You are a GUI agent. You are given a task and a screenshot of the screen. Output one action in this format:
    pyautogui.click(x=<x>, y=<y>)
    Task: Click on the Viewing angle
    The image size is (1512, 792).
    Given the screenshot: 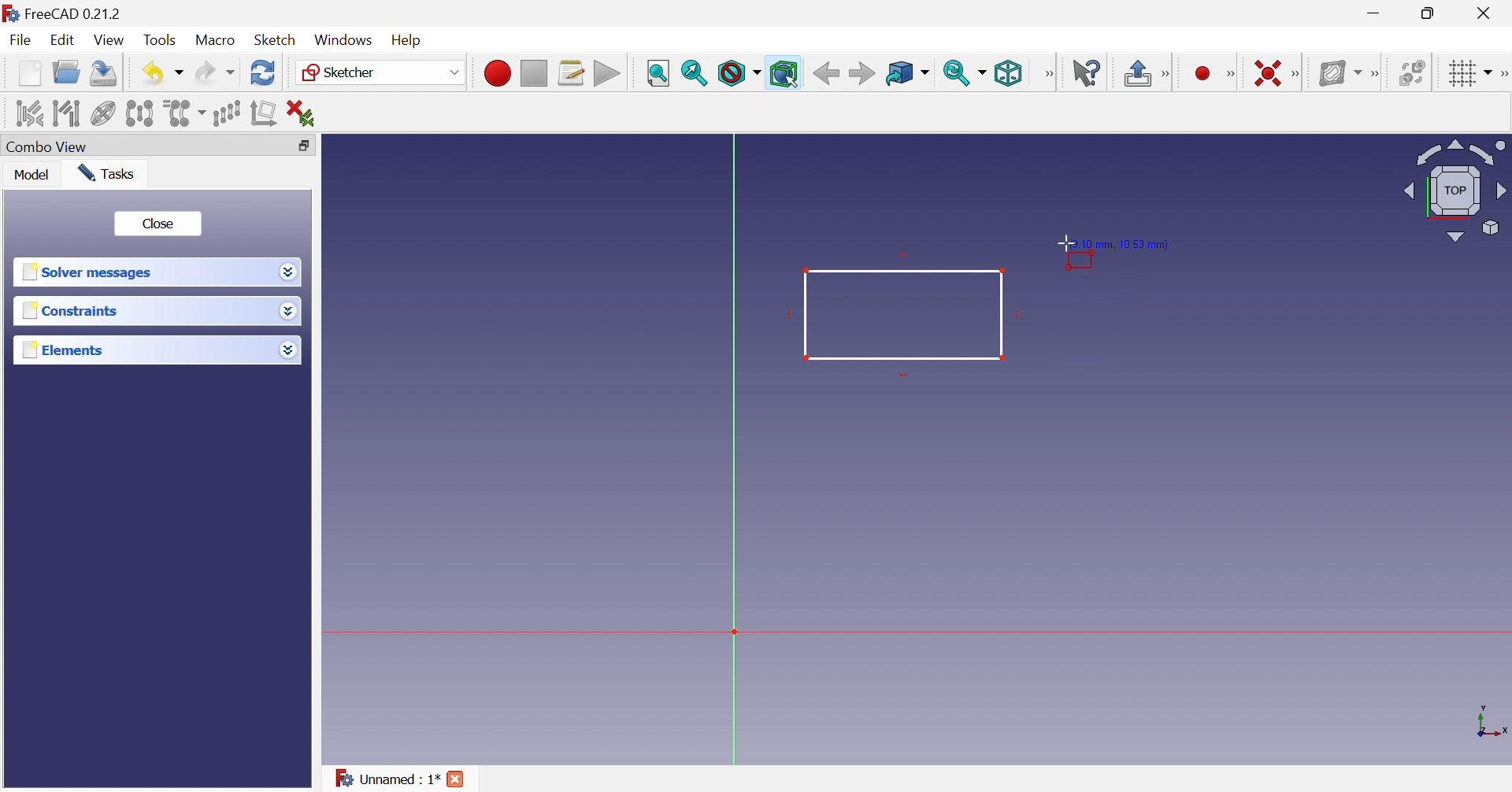 What is the action you would take?
    pyautogui.click(x=1455, y=192)
    